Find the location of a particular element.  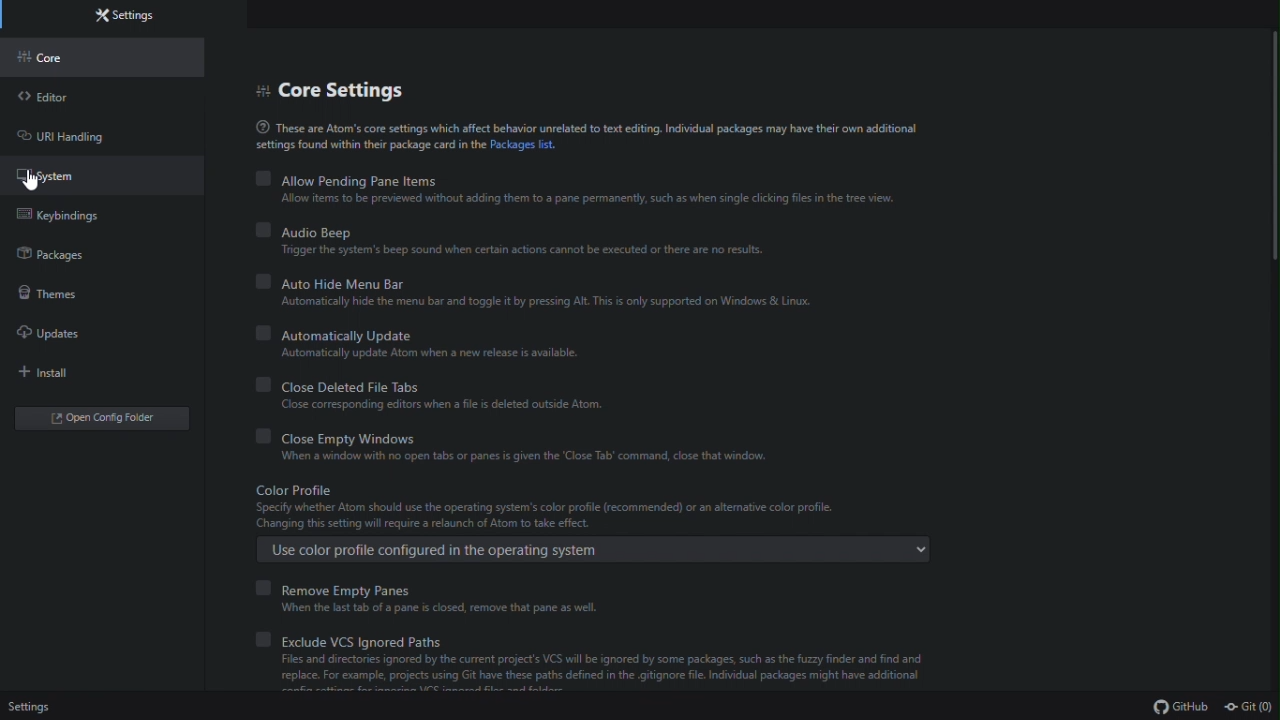

Auto hide menu bar is located at coordinates (557, 283).